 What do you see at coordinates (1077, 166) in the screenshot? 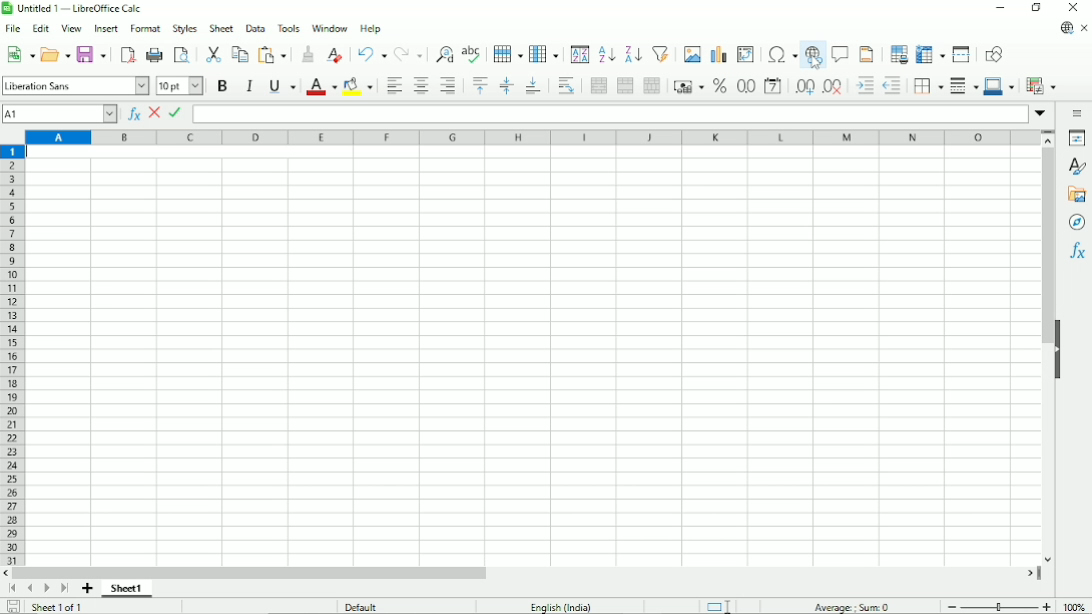
I see `Styles` at bounding box center [1077, 166].